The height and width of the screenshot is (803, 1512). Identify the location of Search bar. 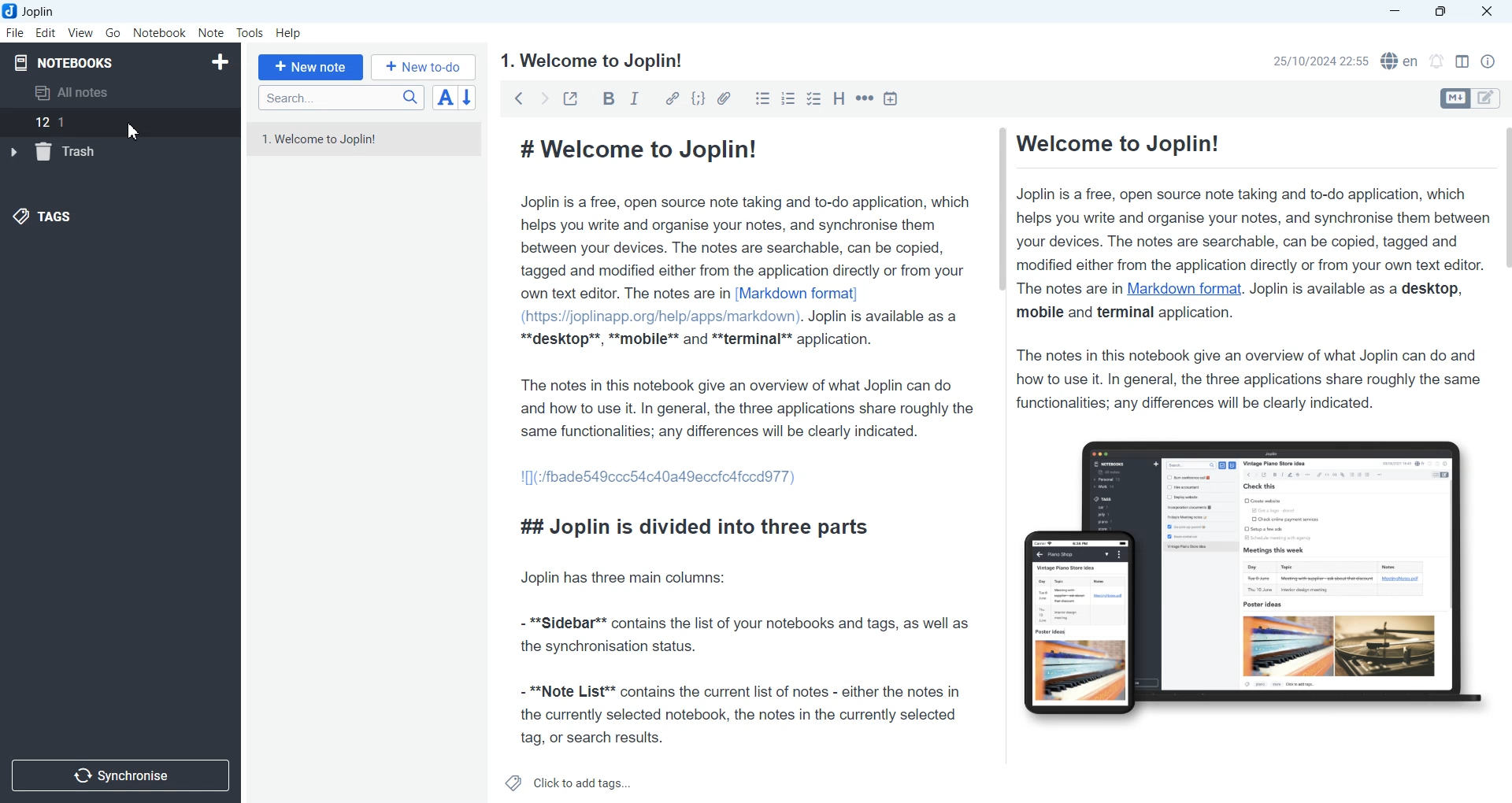
(341, 98).